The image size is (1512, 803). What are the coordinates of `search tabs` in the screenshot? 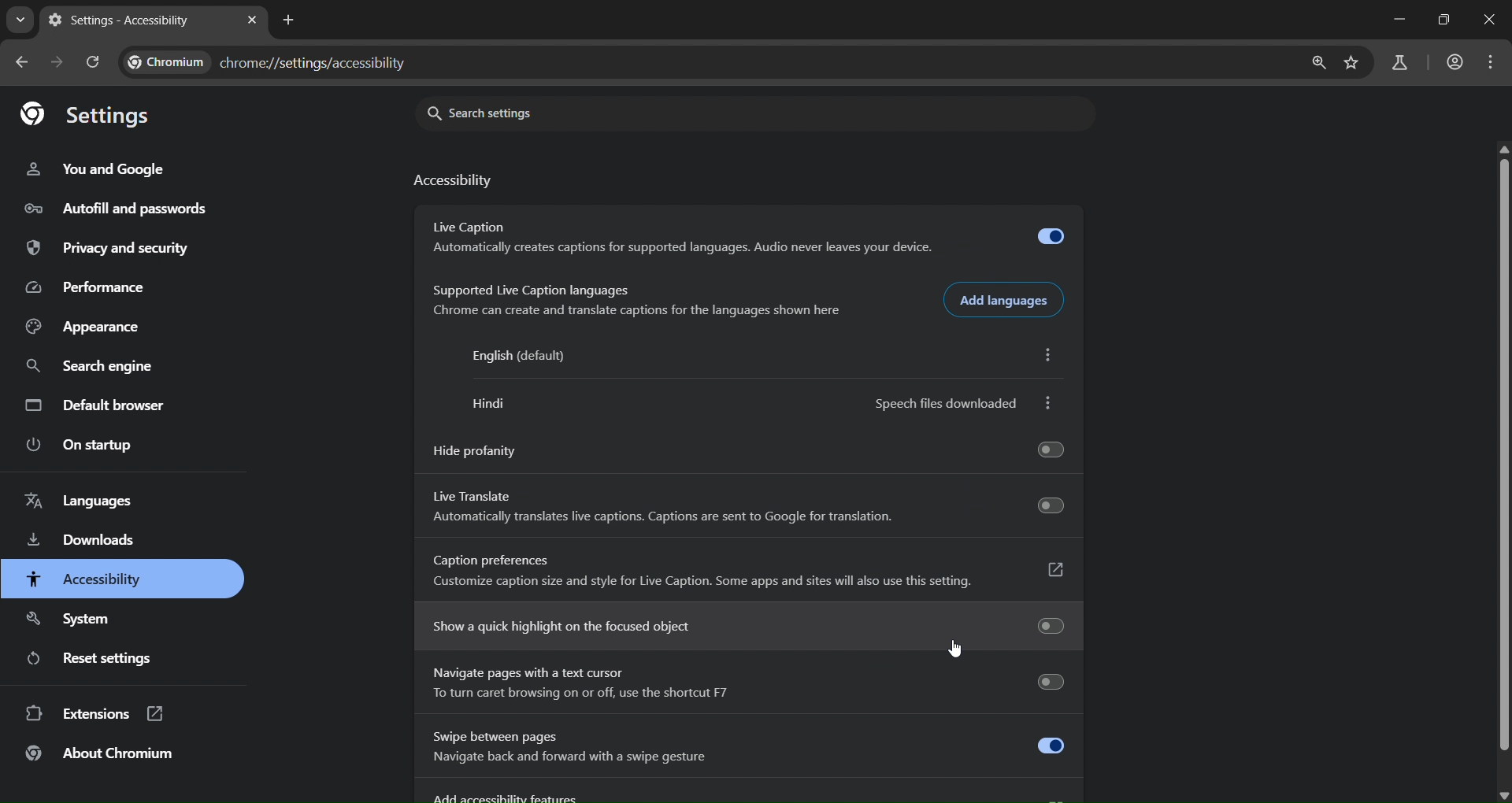 It's located at (21, 18).